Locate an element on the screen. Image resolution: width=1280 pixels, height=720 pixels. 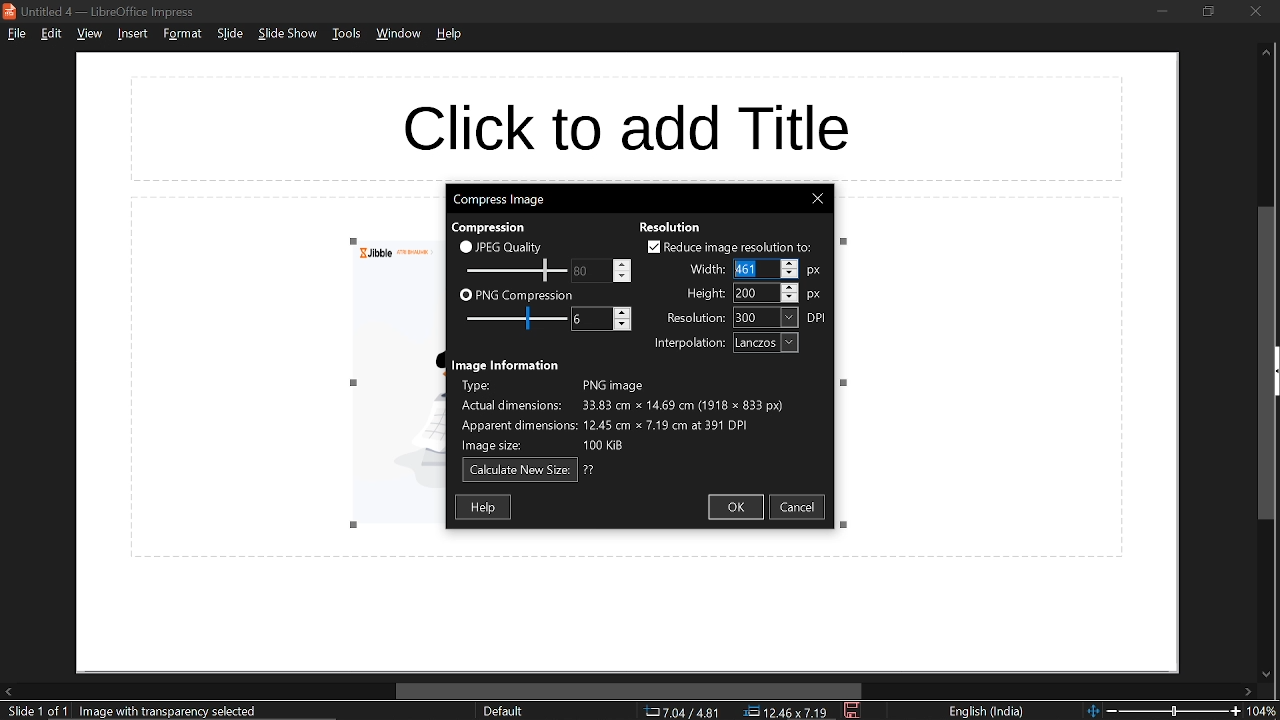
text is located at coordinates (689, 344).